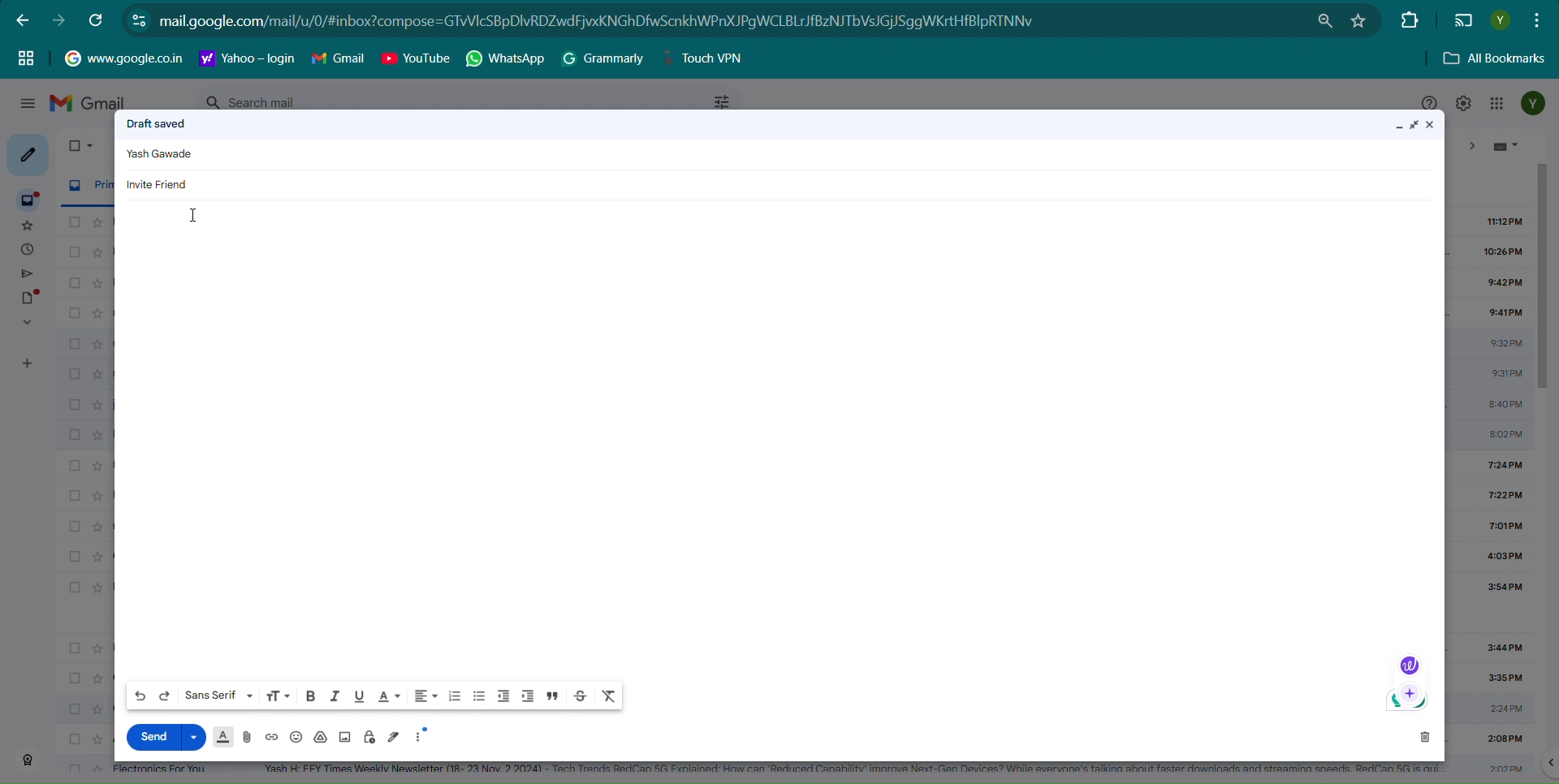 This screenshot has height=784, width=1559. What do you see at coordinates (1397, 127) in the screenshot?
I see `Minimize` at bounding box center [1397, 127].